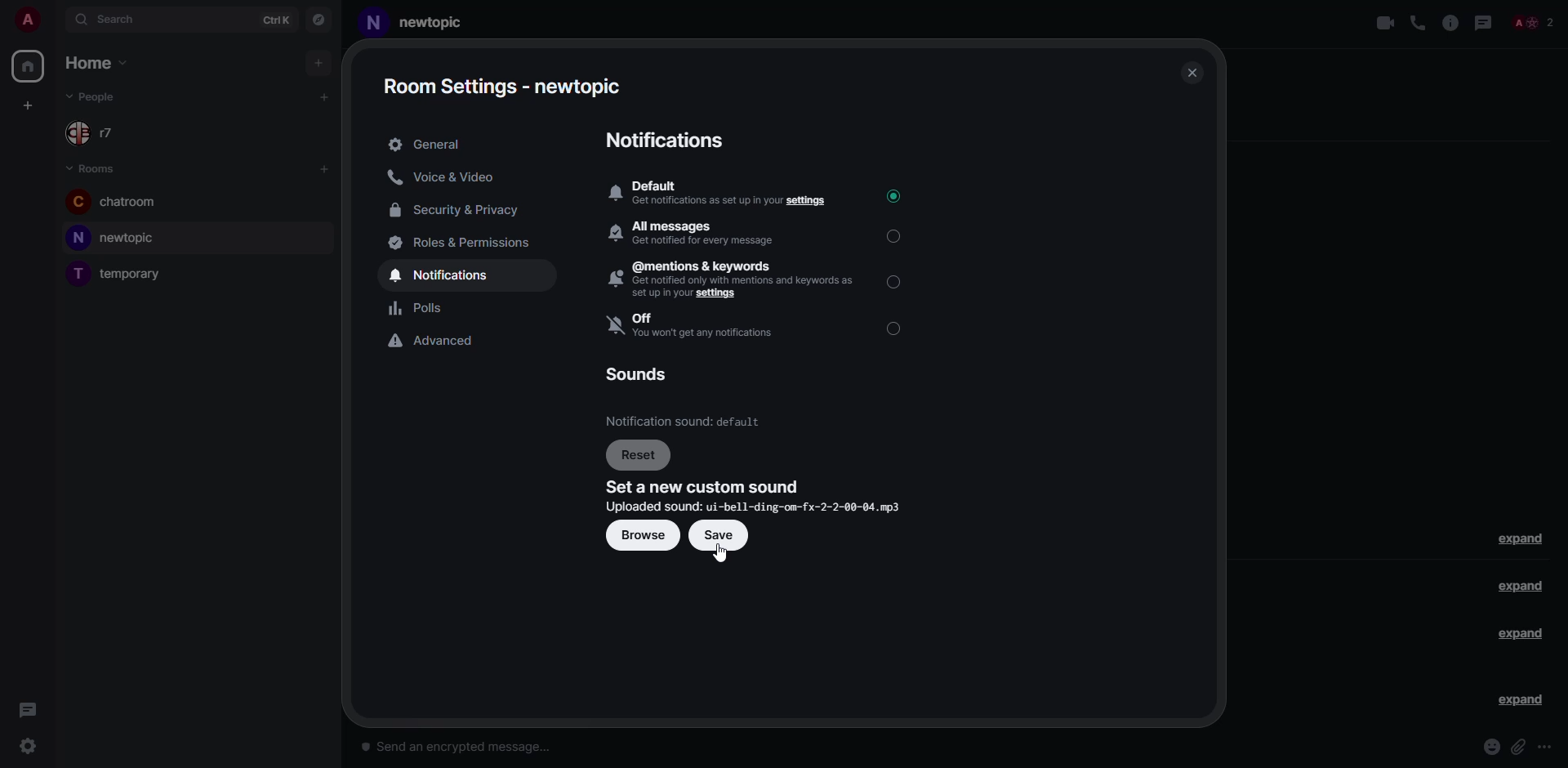  What do you see at coordinates (647, 537) in the screenshot?
I see `browse` at bounding box center [647, 537].